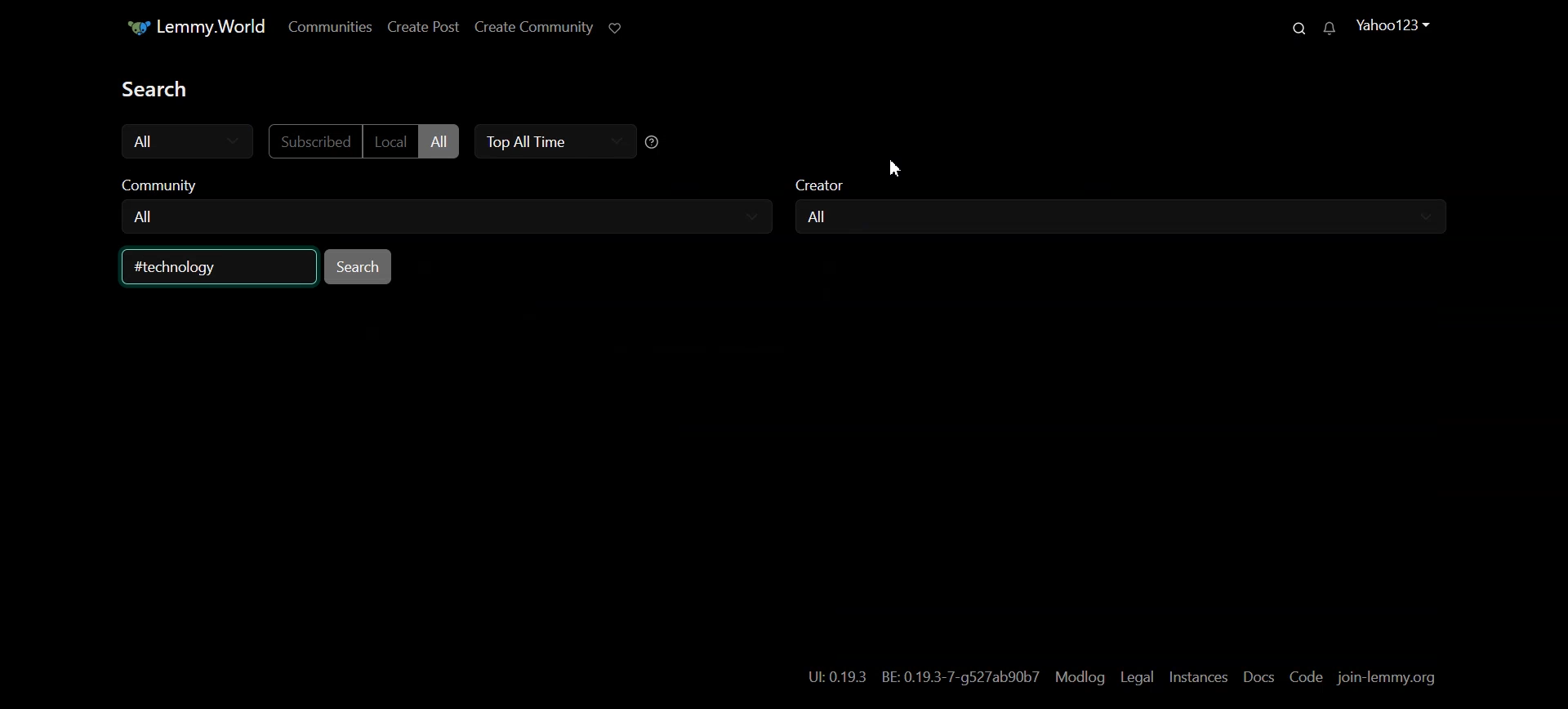 Image resolution: width=1568 pixels, height=709 pixels. I want to click on Sorting Help, so click(653, 141).